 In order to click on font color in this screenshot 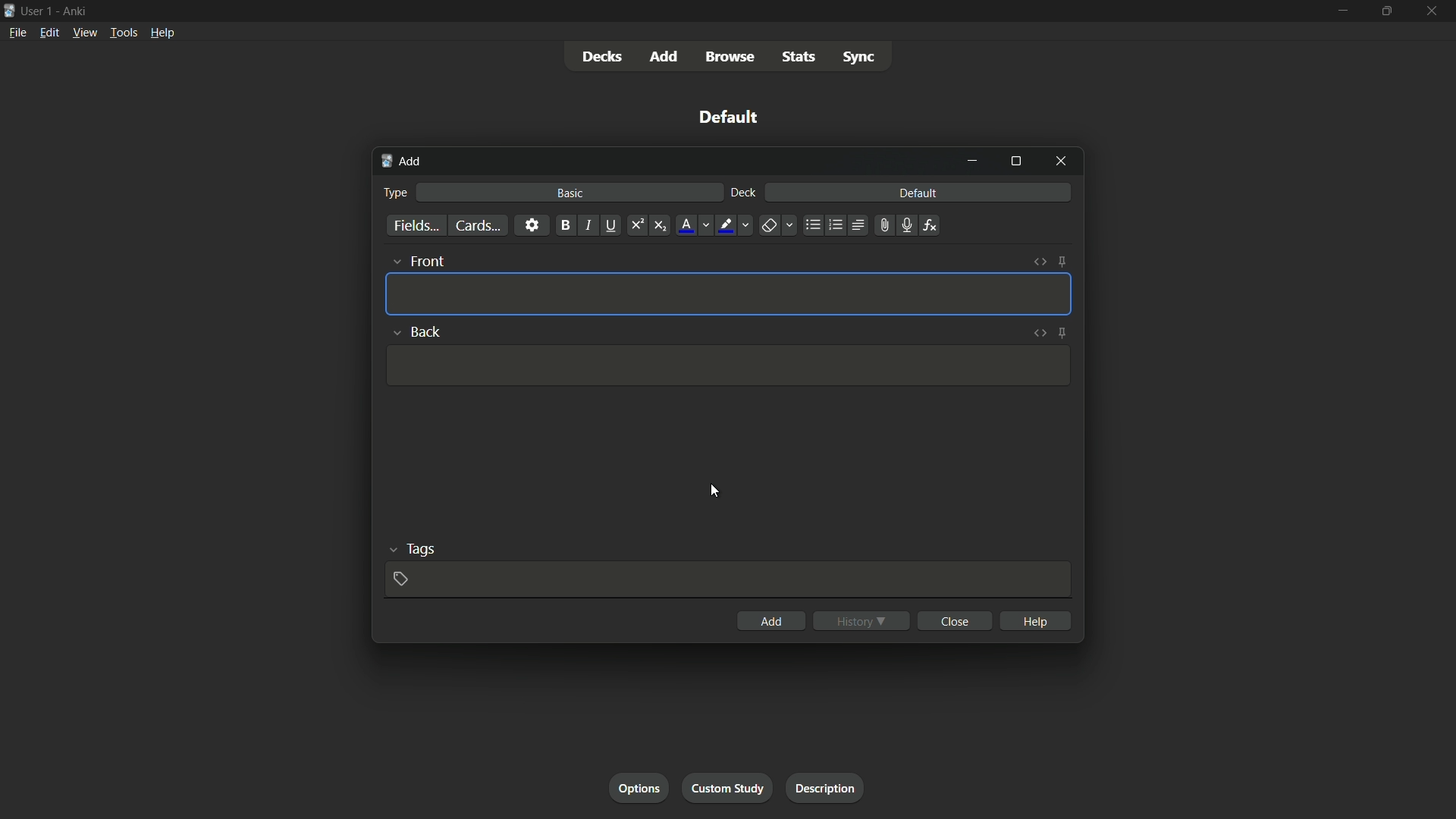, I will do `click(693, 225)`.